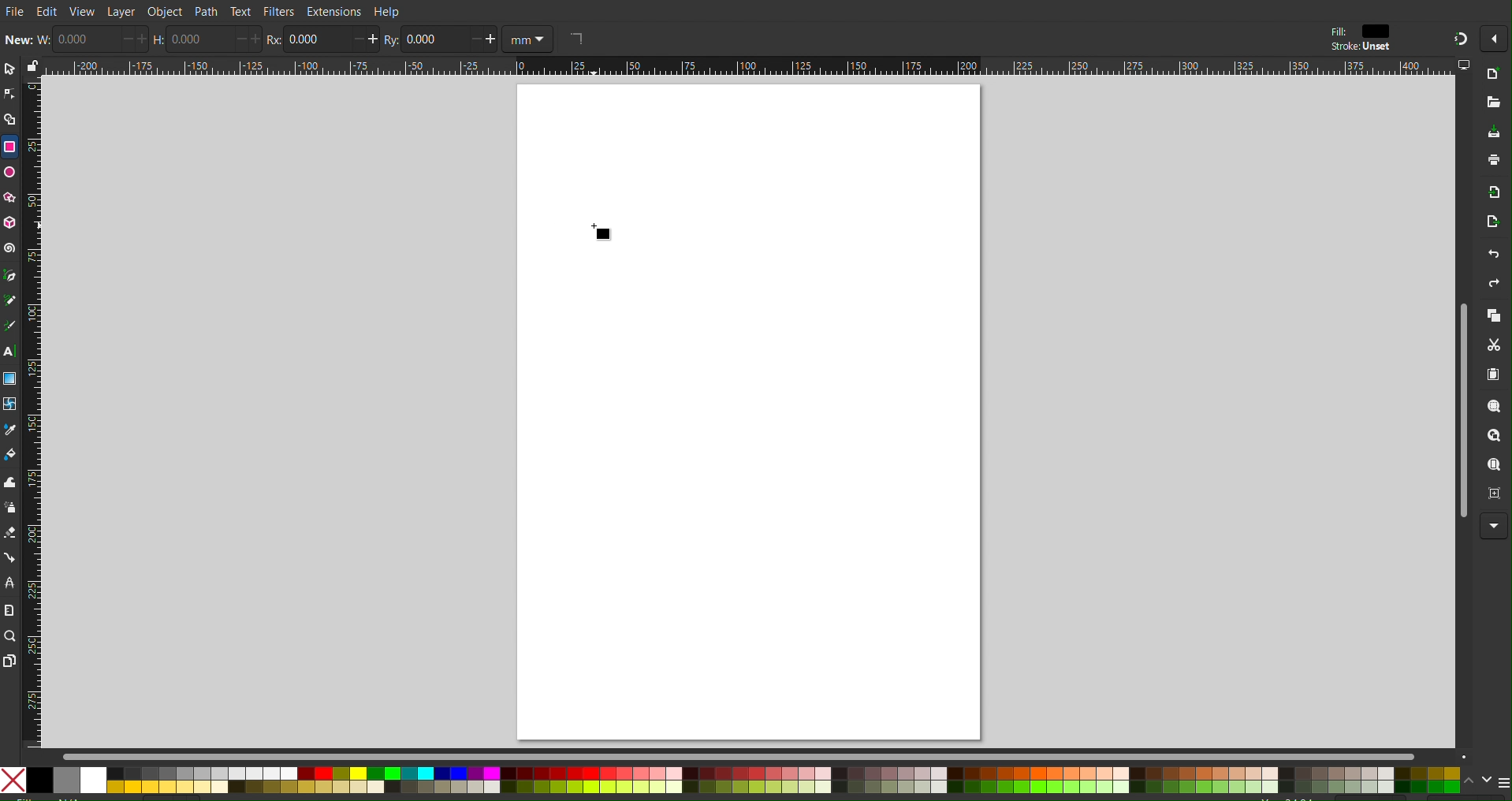  I want to click on Paste, so click(1495, 376).